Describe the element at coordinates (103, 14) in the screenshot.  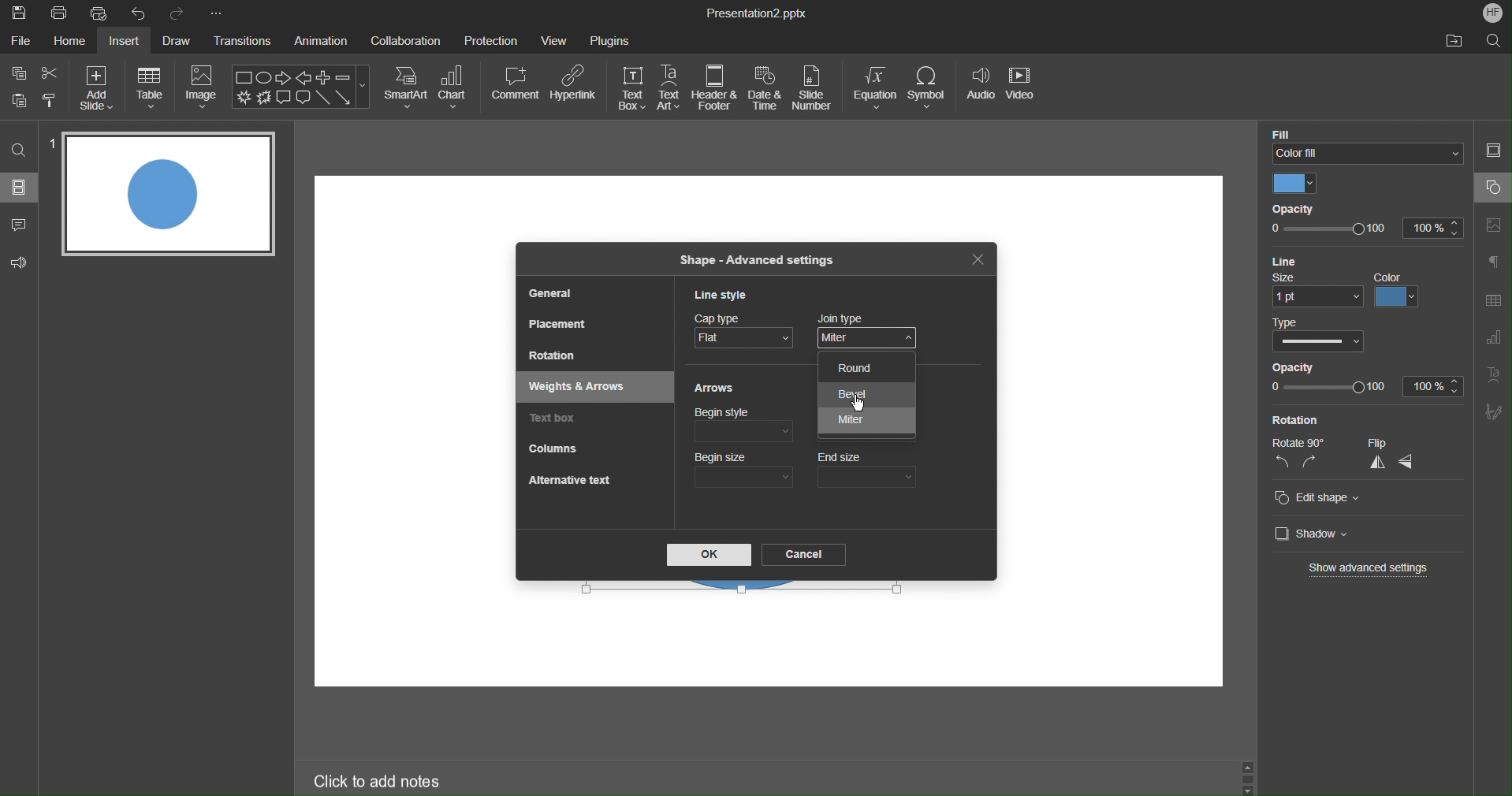
I see `Quick Print` at that location.